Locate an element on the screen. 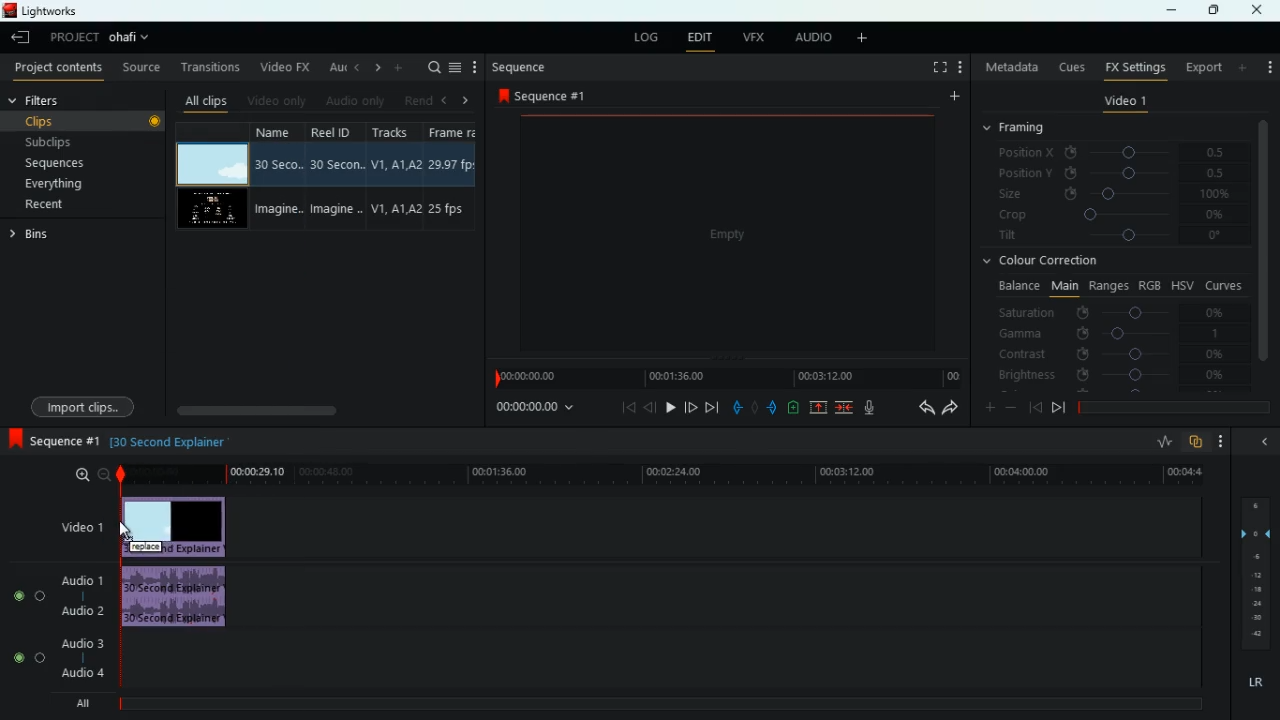 The height and width of the screenshot is (720, 1280). rgb is located at coordinates (1151, 284).